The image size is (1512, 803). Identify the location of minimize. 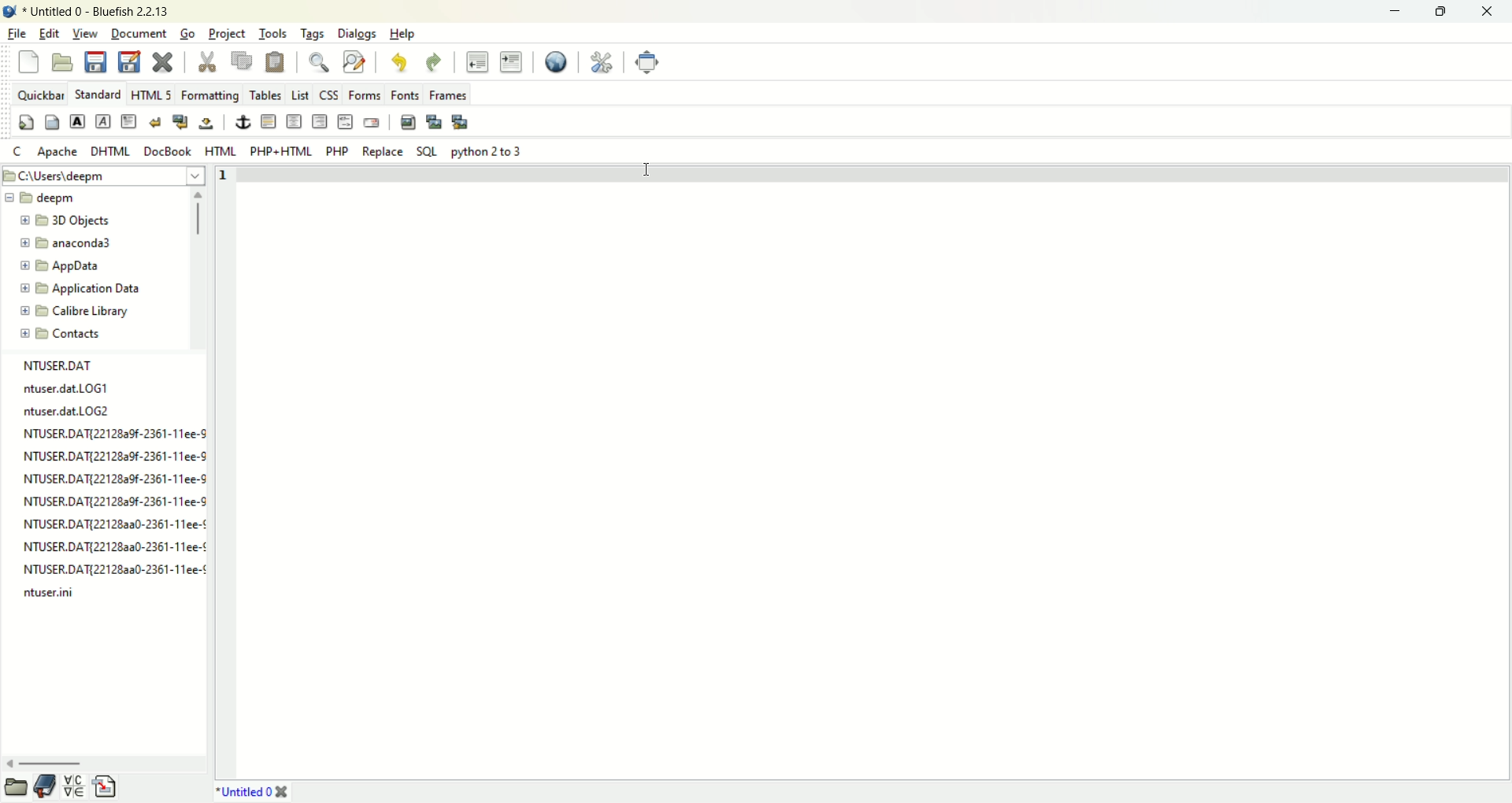
(1398, 11).